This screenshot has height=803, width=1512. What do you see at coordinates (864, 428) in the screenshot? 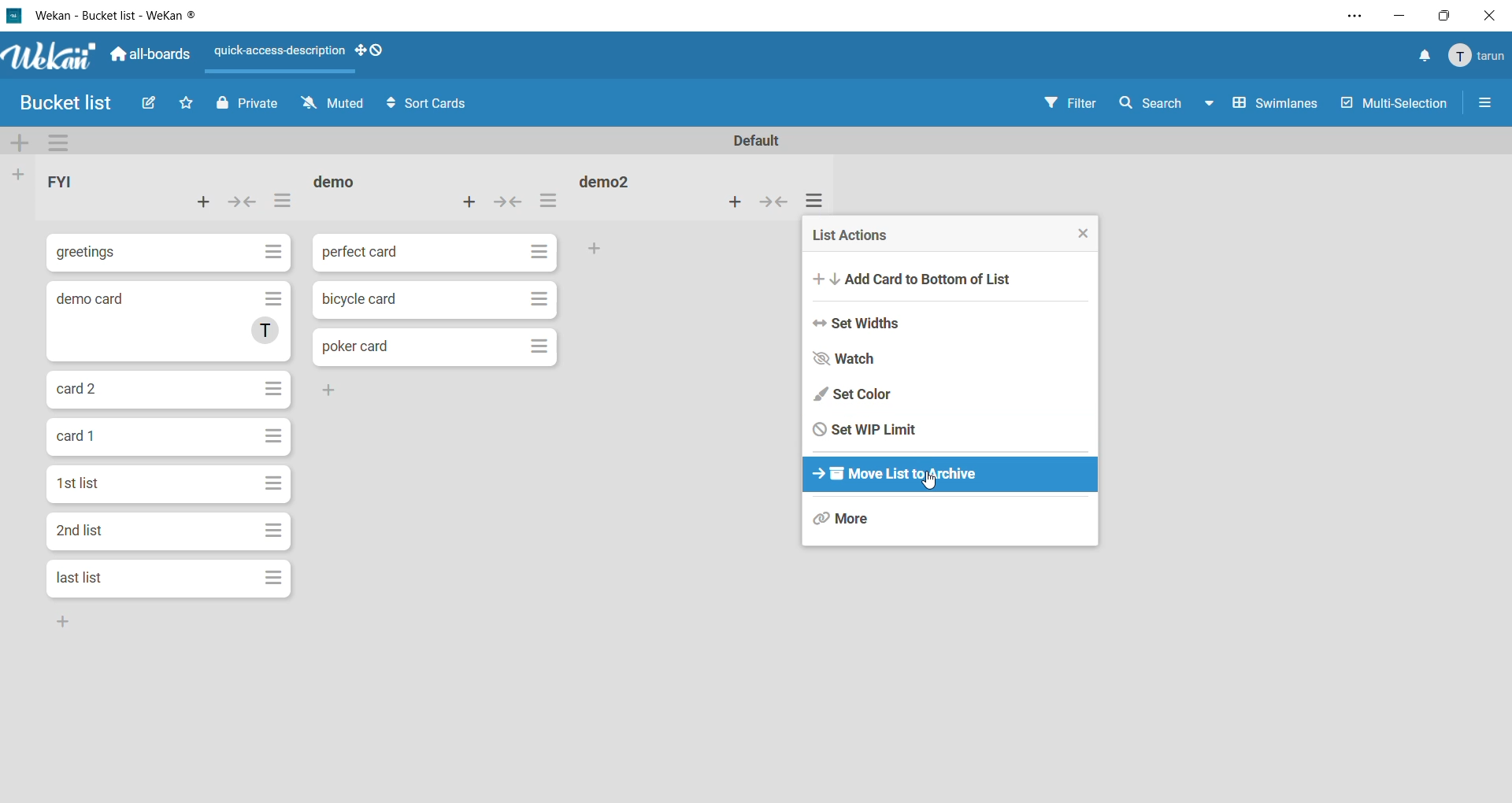
I see `set WIP limit` at bounding box center [864, 428].